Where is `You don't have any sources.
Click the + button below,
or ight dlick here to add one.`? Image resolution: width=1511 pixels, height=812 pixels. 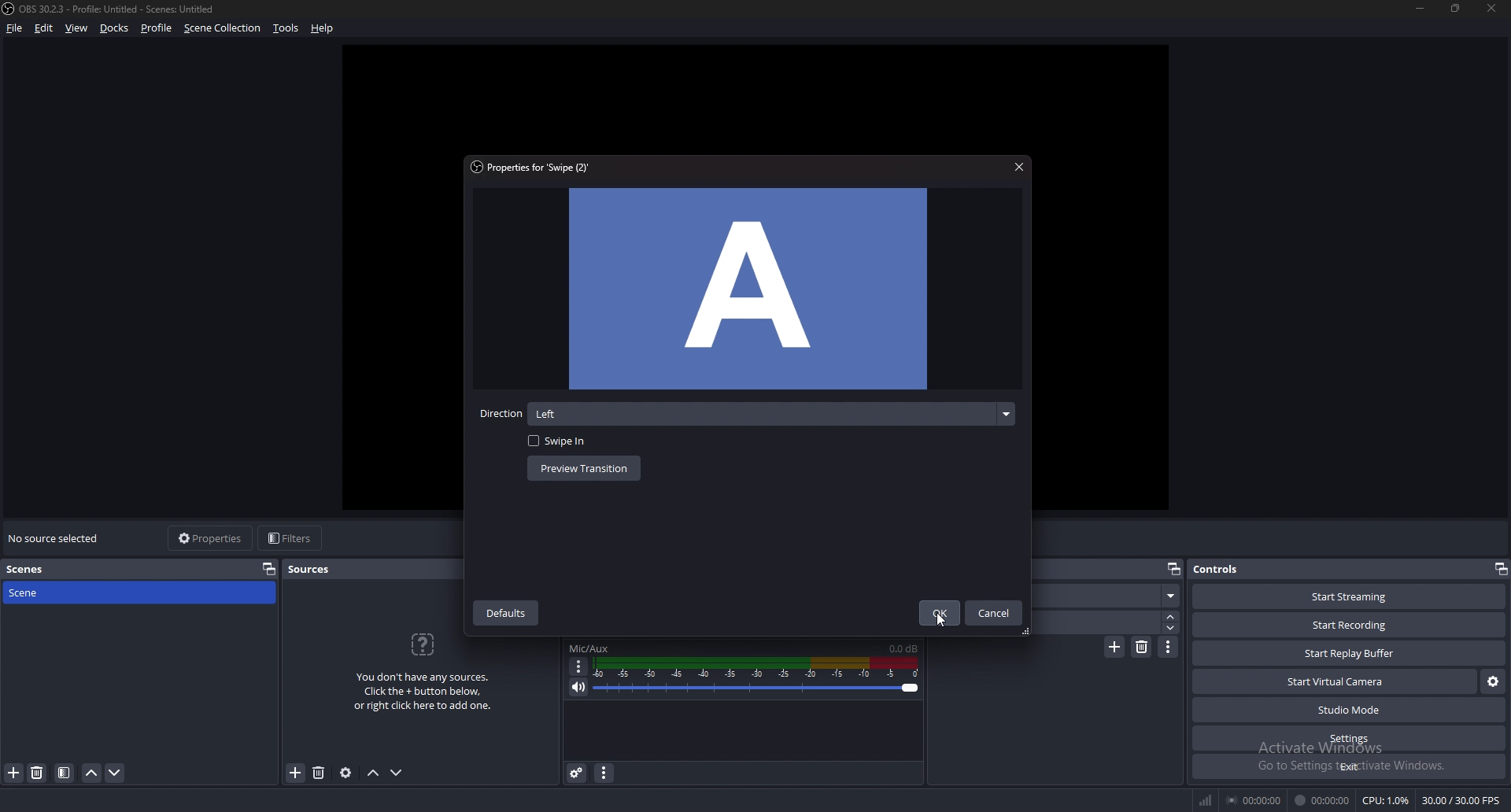
You don't have any sources.
Click the + button below,
or ight dlick here to add one. is located at coordinates (423, 677).